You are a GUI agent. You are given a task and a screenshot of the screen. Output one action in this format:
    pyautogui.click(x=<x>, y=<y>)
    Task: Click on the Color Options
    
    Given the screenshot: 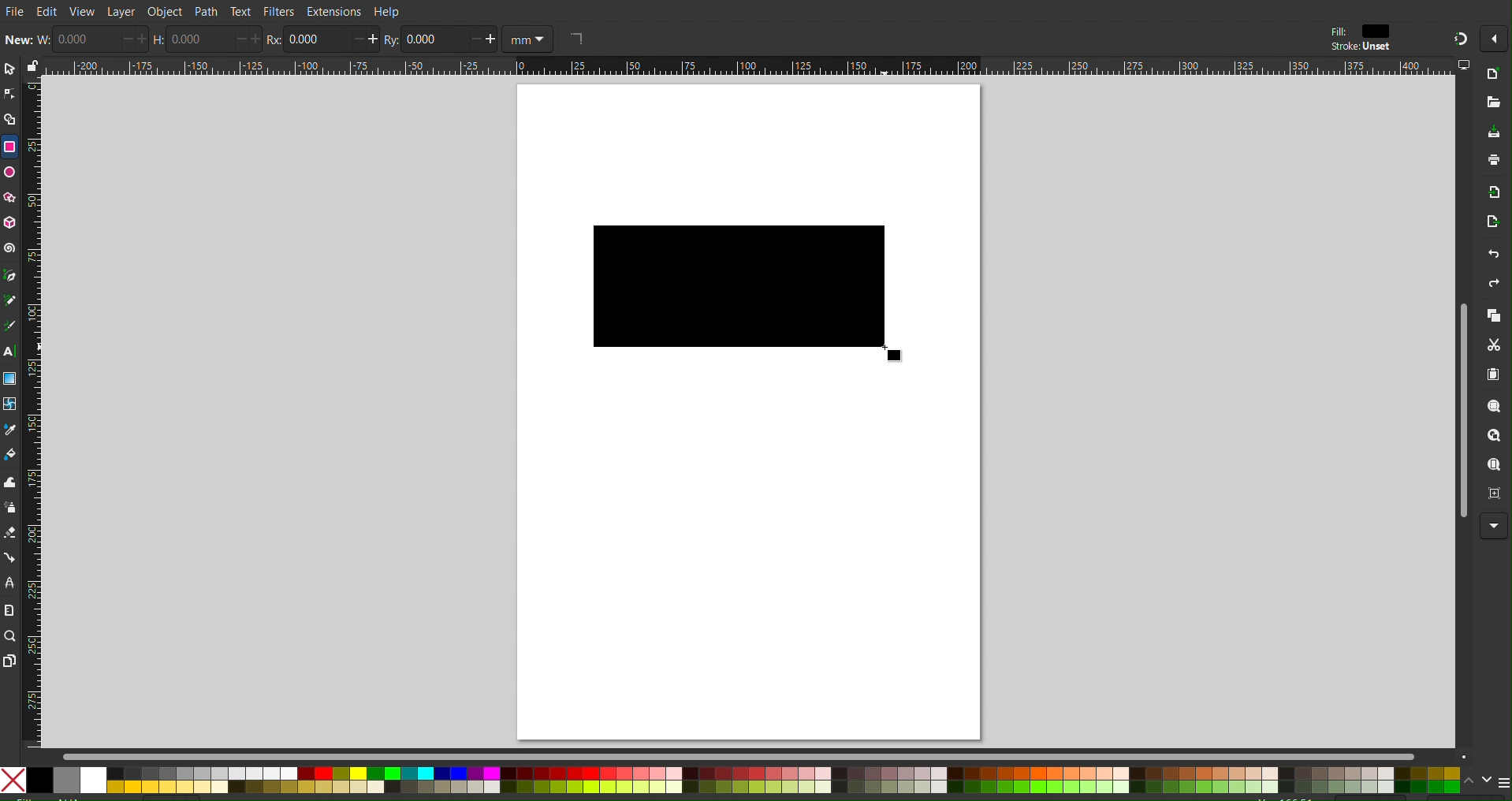 What is the action you would take?
    pyautogui.click(x=732, y=781)
    